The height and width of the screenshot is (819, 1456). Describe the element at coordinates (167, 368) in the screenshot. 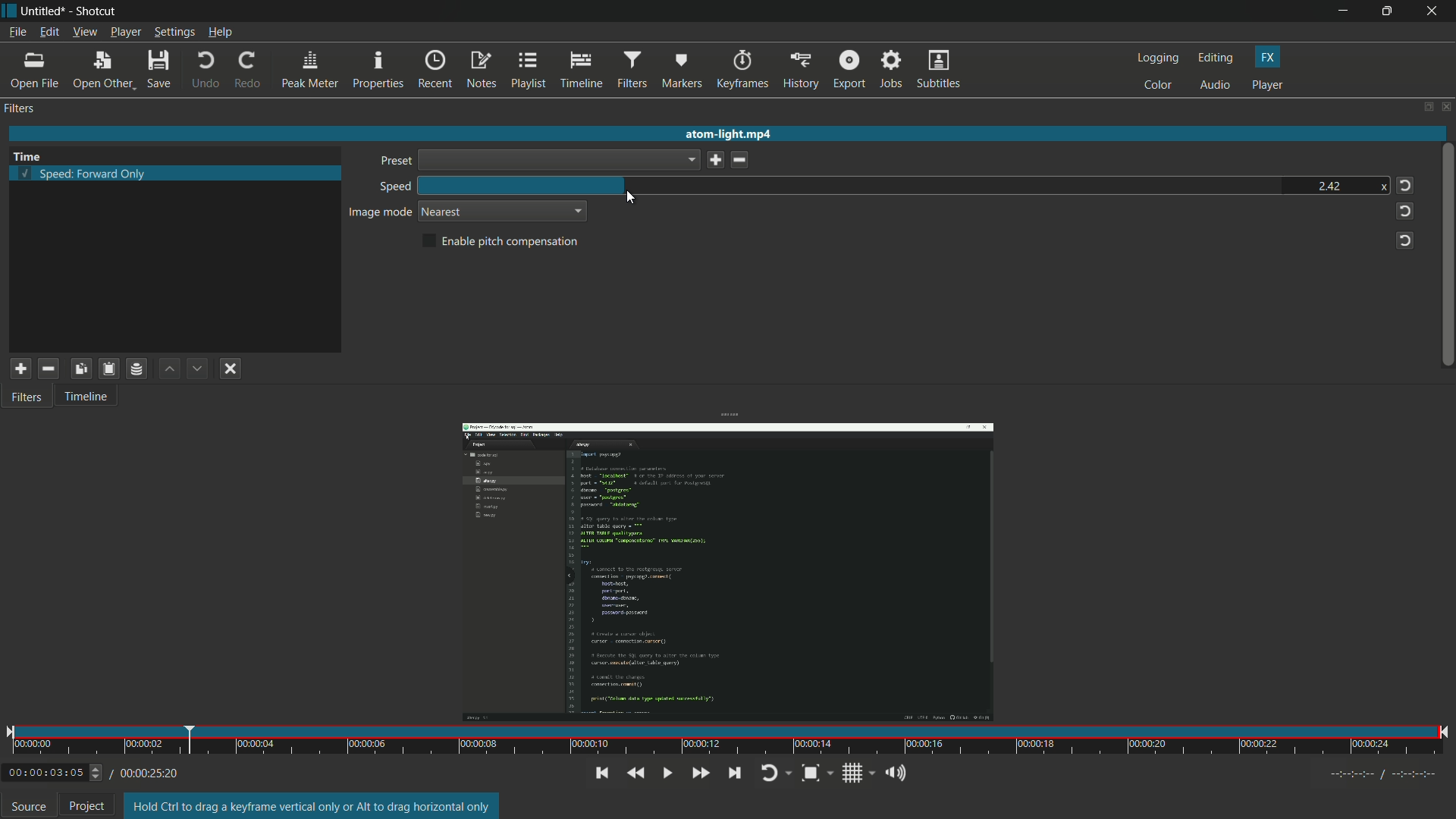

I see `move filter up` at that location.